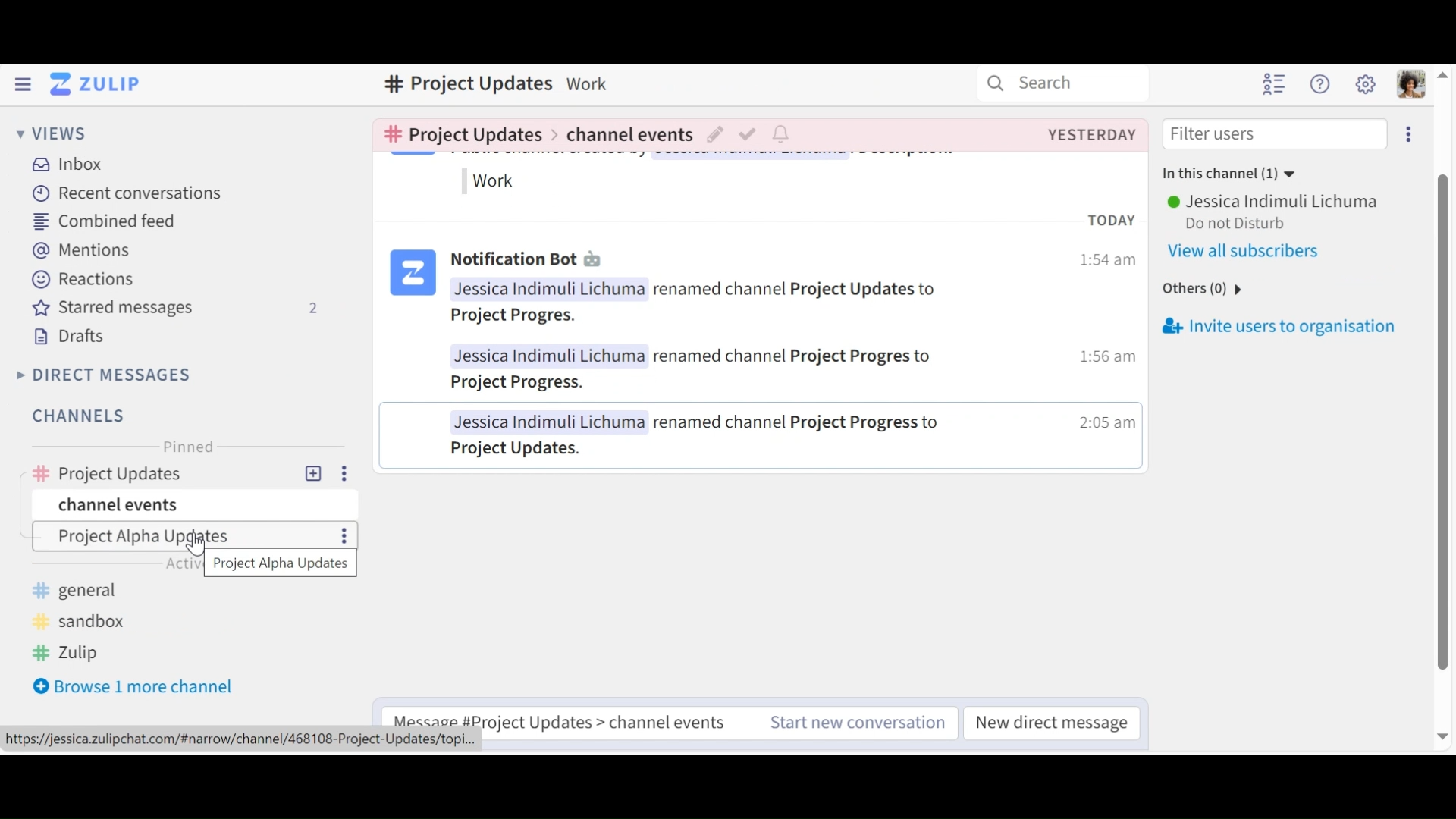 This screenshot has width=1456, height=819. I want to click on Combined feed, so click(102, 221).